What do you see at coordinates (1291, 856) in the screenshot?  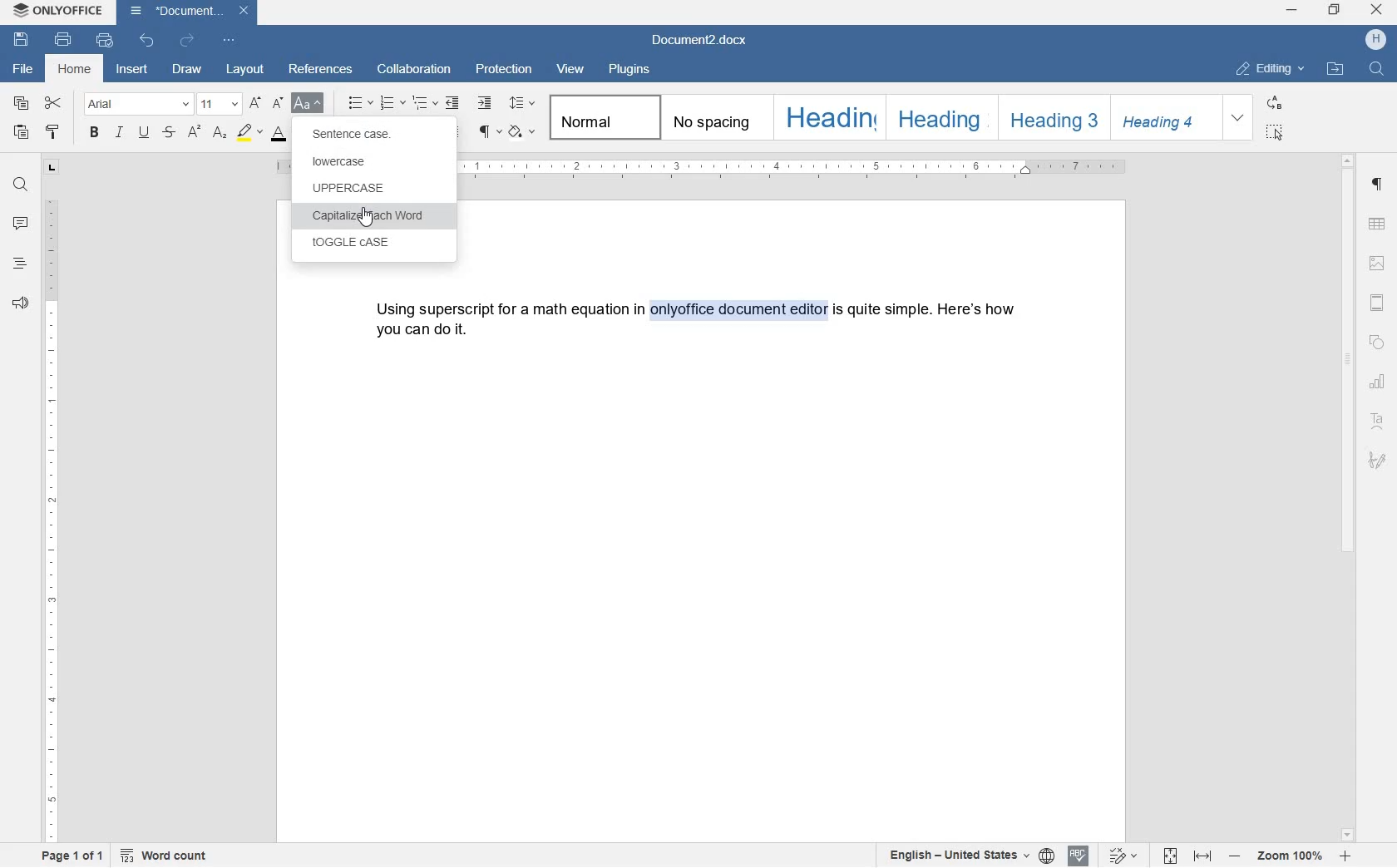 I see `zoom in or zoom out` at bounding box center [1291, 856].